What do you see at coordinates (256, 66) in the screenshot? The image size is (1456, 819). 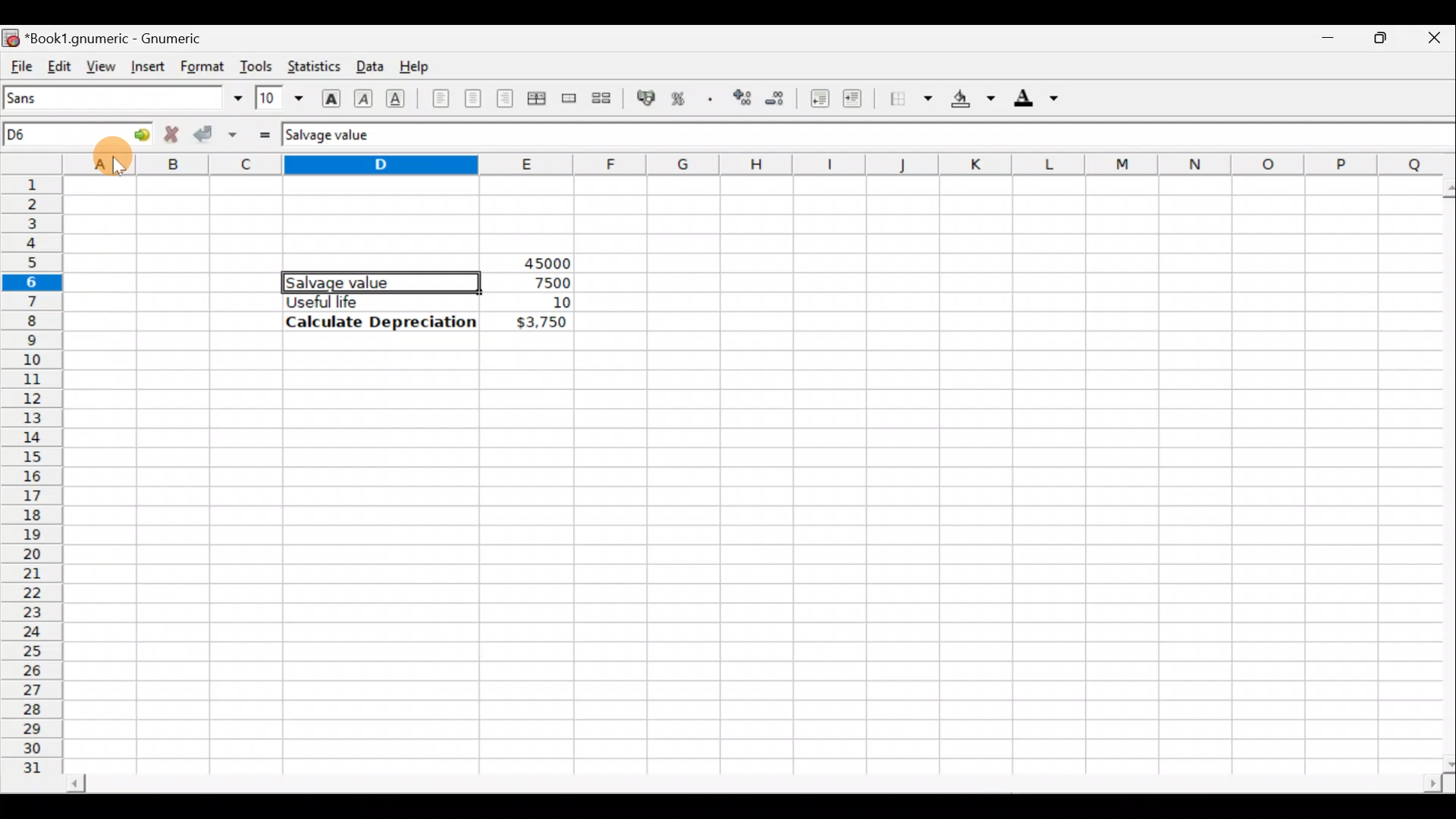 I see `Tools` at bounding box center [256, 66].